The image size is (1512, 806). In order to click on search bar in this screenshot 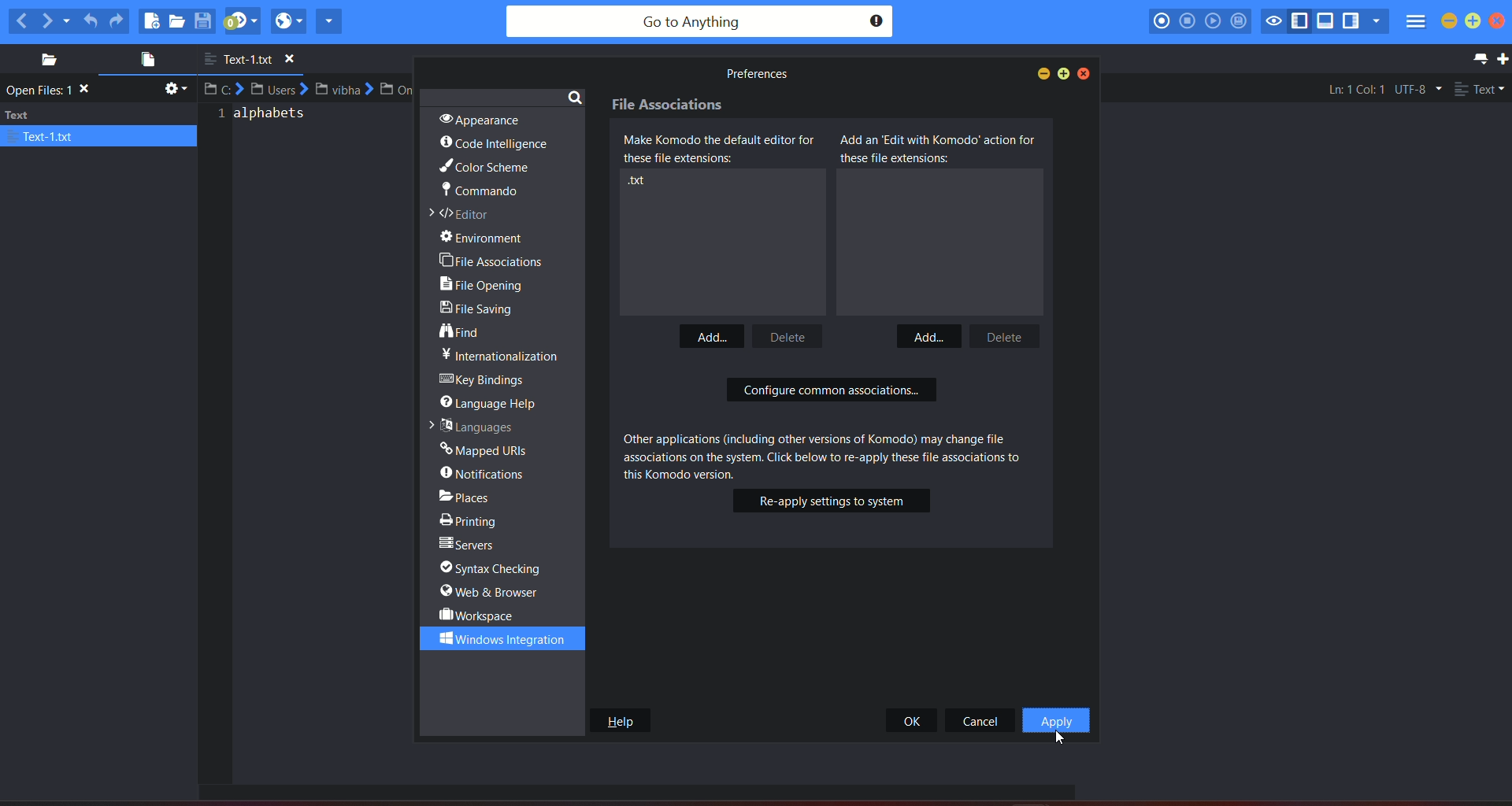, I will do `click(699, 22)`.